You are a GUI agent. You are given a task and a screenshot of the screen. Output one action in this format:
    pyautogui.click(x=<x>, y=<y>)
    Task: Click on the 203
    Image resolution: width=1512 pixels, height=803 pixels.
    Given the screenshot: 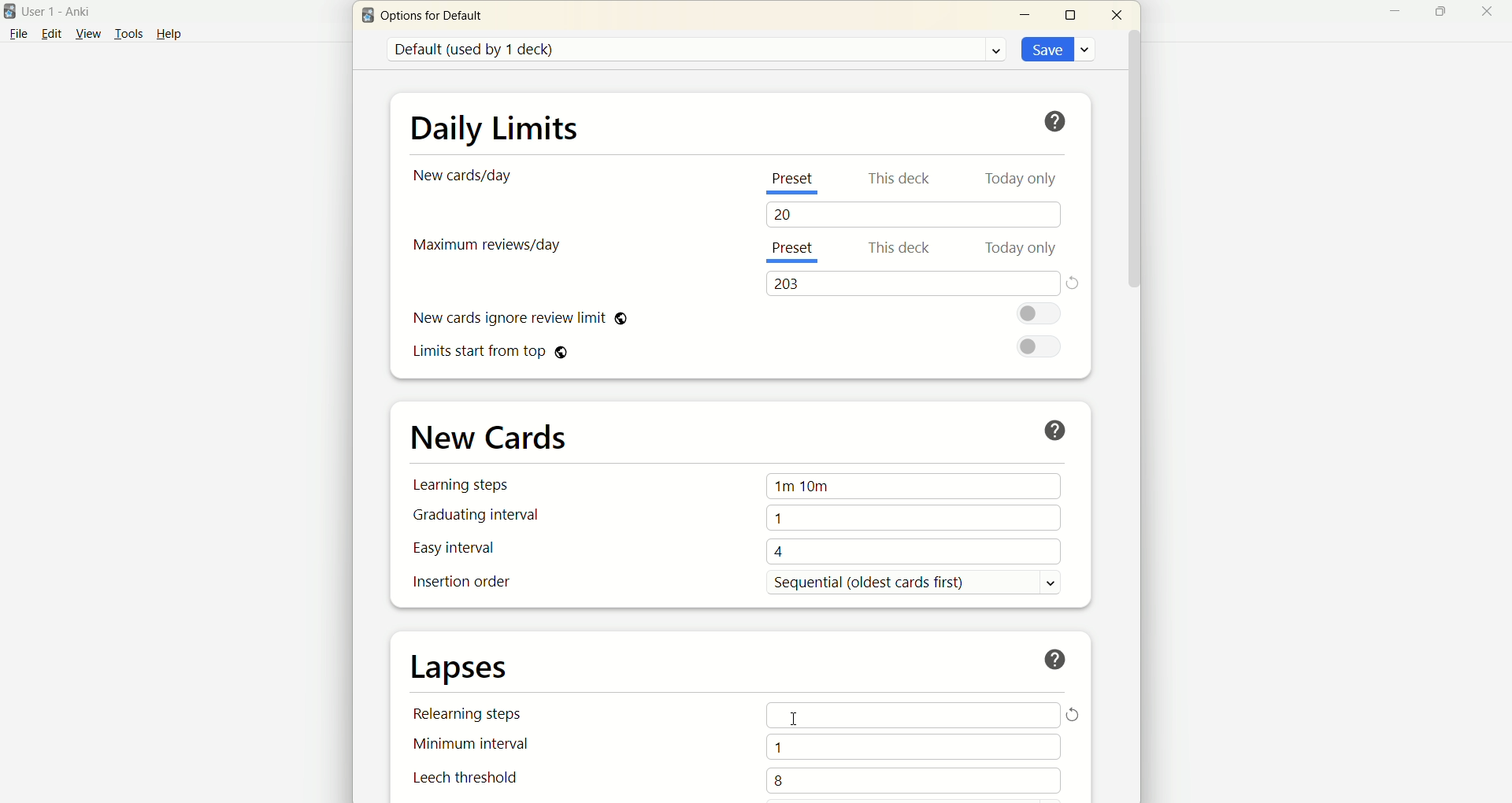 What is the action you would take?
    pyautogui.click(x=910, y=283)
    